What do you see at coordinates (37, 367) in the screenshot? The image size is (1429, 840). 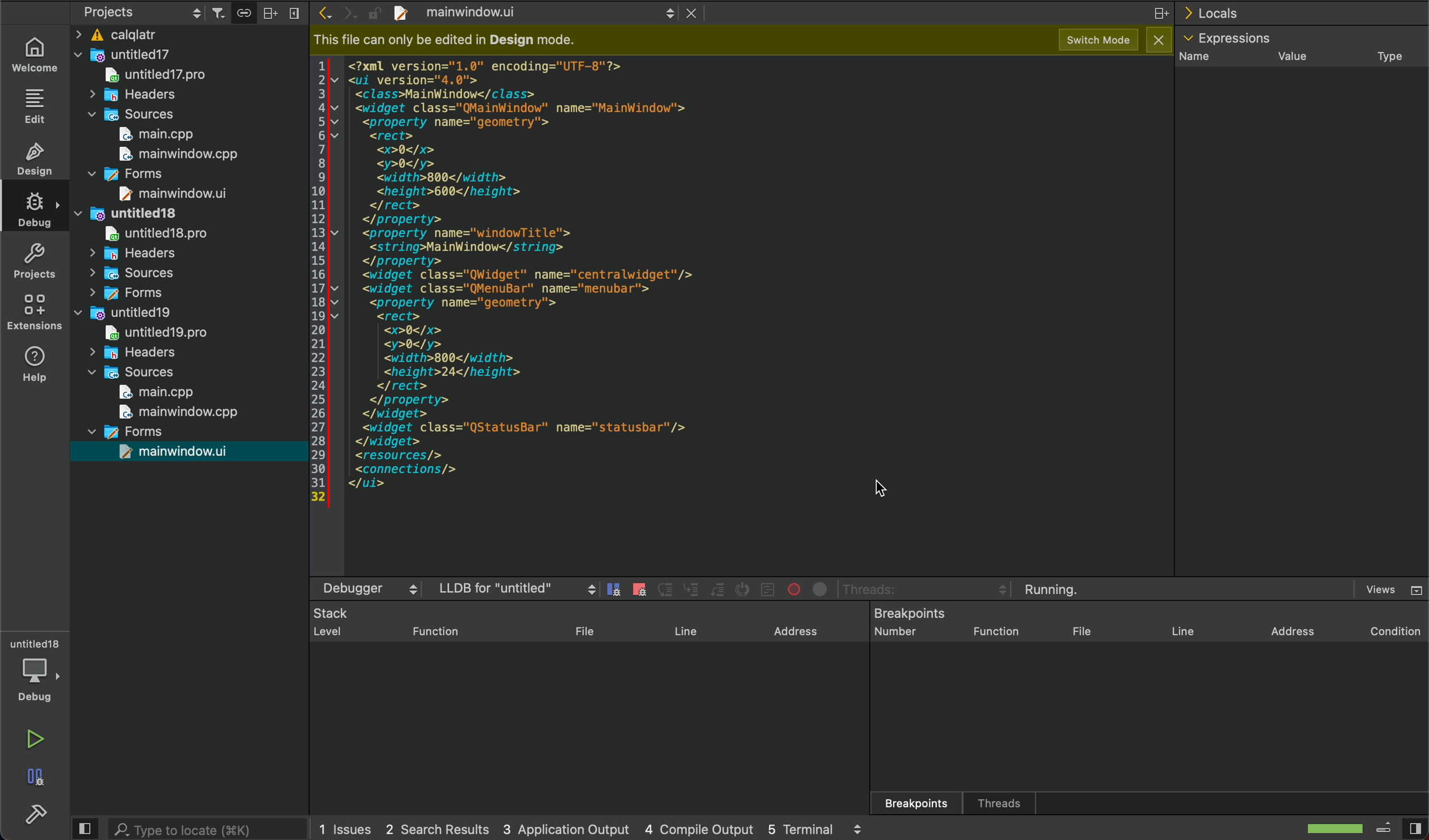 I see `help` at bounding box center [37, 367].